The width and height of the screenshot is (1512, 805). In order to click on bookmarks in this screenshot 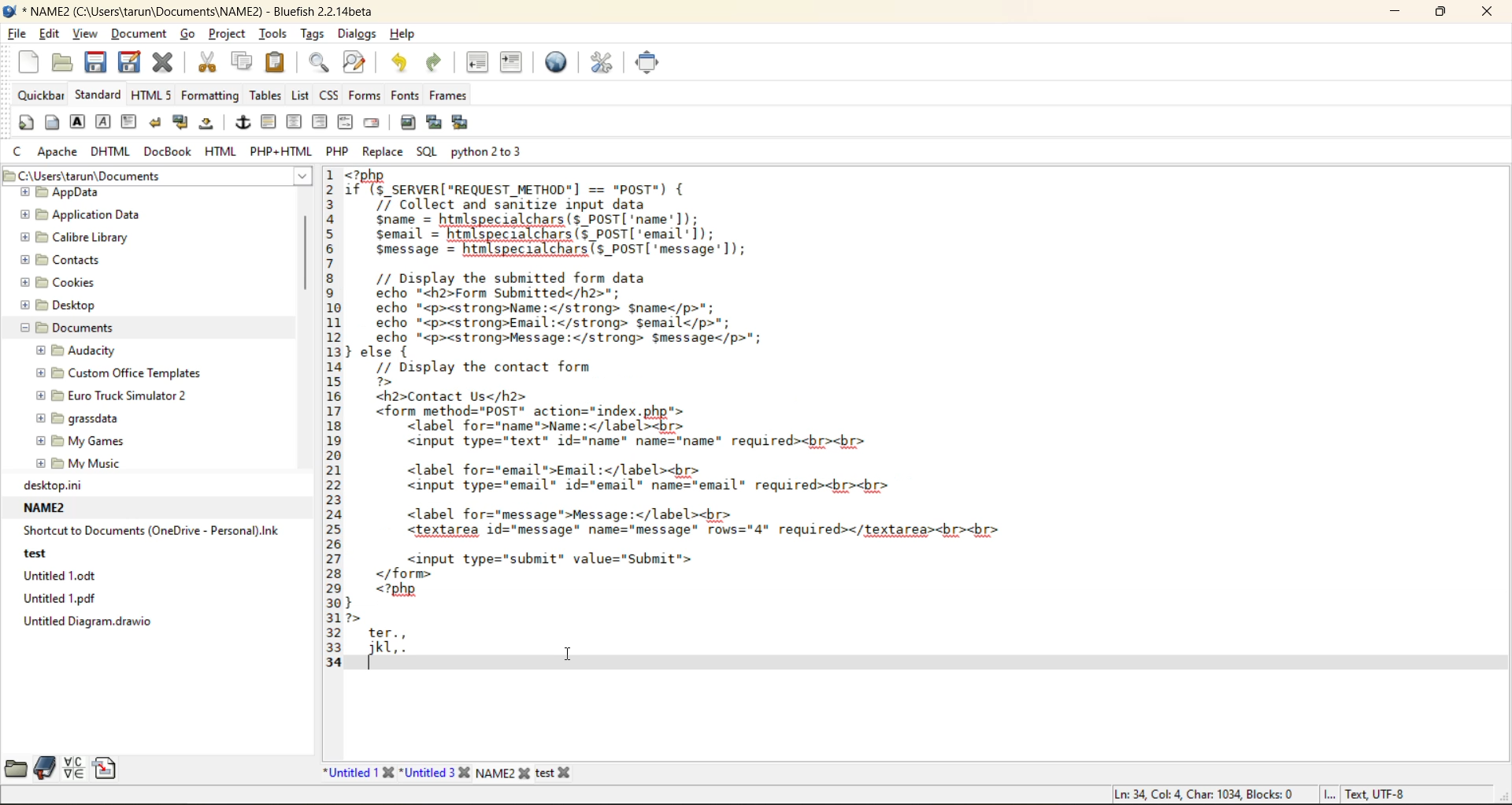, I will do `click(43, 766)`.